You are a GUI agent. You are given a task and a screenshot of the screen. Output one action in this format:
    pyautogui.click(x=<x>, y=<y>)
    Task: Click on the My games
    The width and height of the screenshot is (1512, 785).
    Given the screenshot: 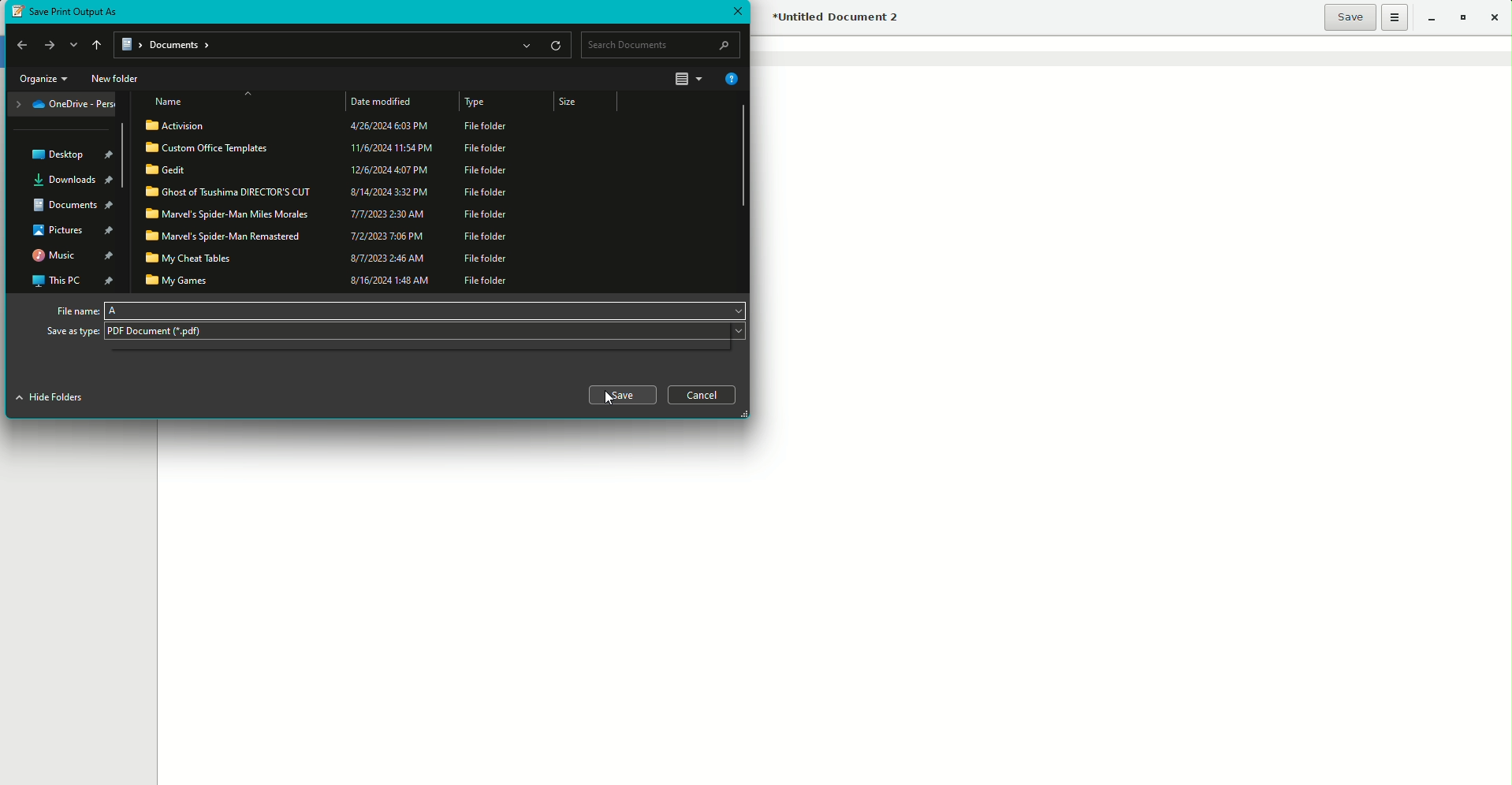 What is the action you would take?
    pyautogui.click(x=334, y=279)
    